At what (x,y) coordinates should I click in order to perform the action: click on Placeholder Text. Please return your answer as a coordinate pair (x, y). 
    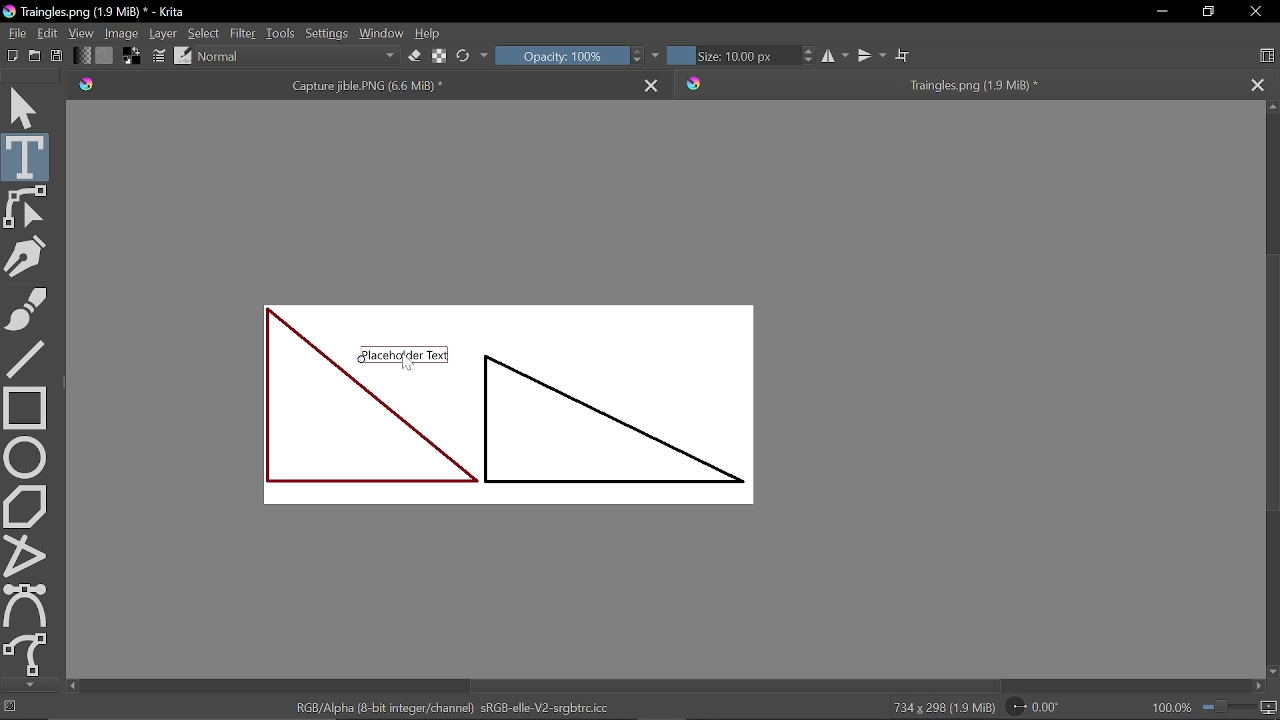
    Looking at the image, I should click on (506, 405).